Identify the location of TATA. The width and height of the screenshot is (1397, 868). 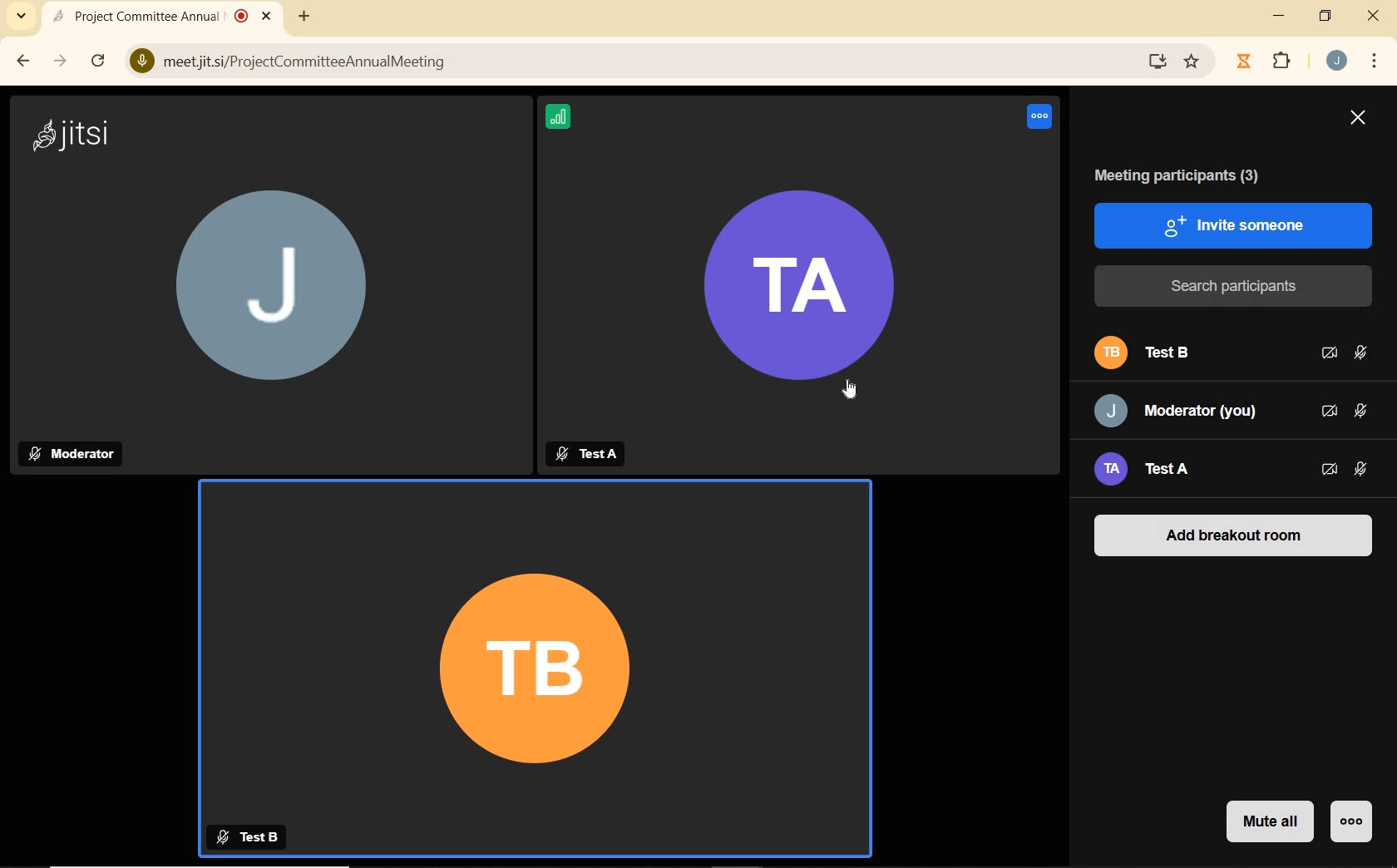
(797, 255).